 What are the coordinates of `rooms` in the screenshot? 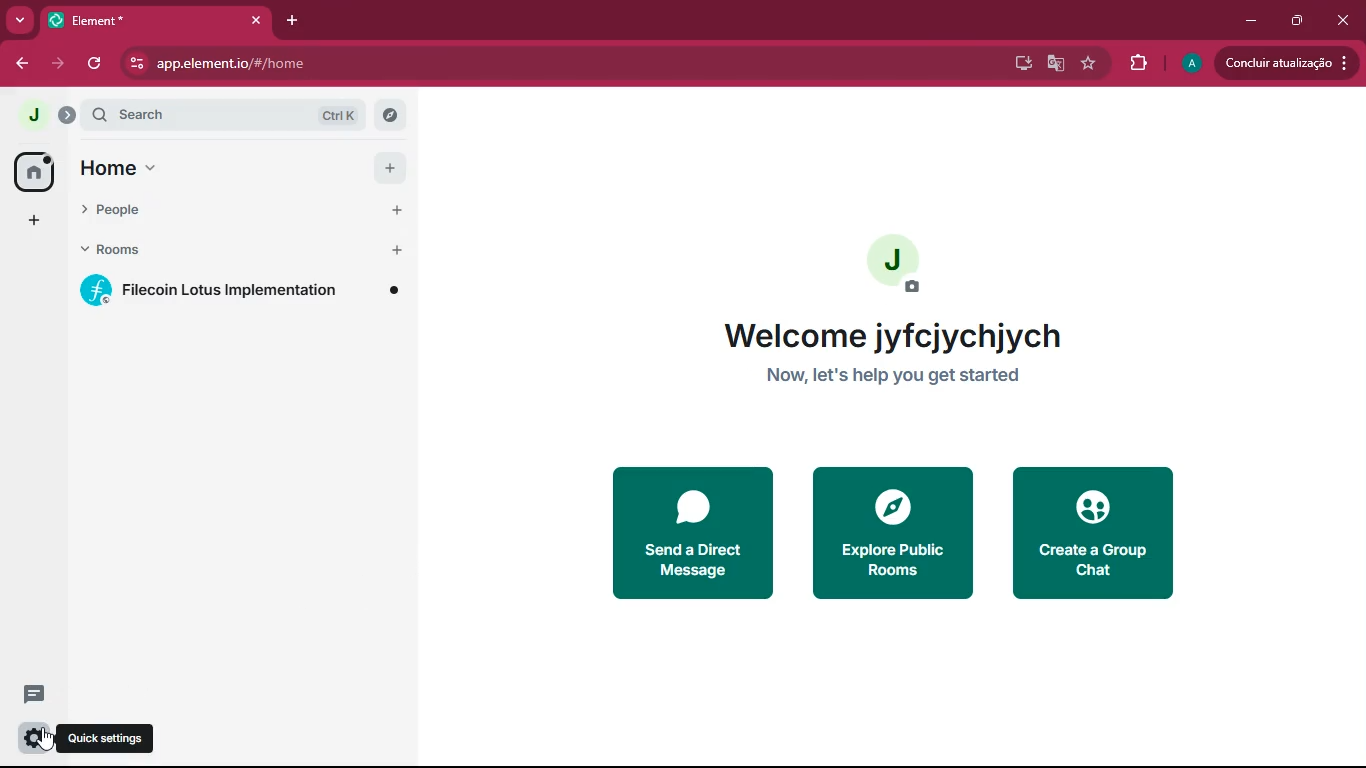 It's located at (127, 252).